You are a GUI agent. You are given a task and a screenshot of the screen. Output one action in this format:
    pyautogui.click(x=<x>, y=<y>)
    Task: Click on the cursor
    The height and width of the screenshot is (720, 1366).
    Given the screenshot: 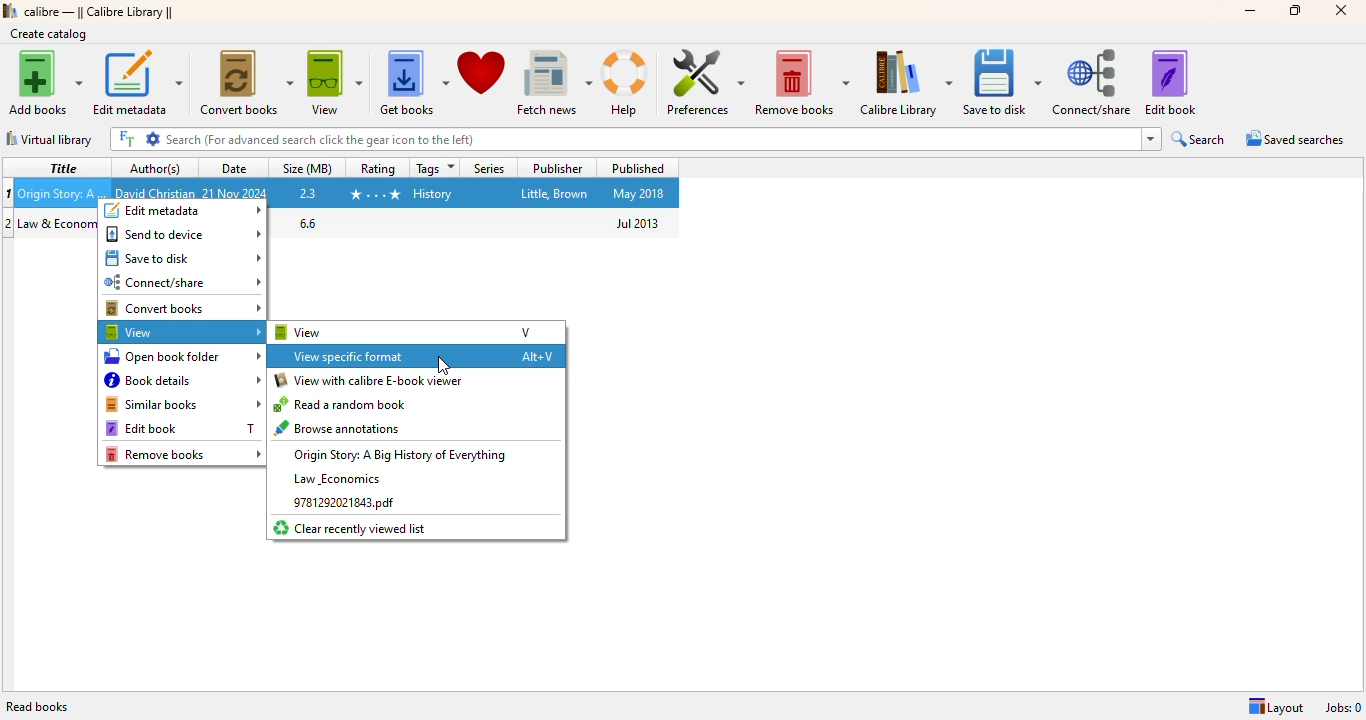 What is the action you would take?
    pyautogui.click(x=443, y=367)
    